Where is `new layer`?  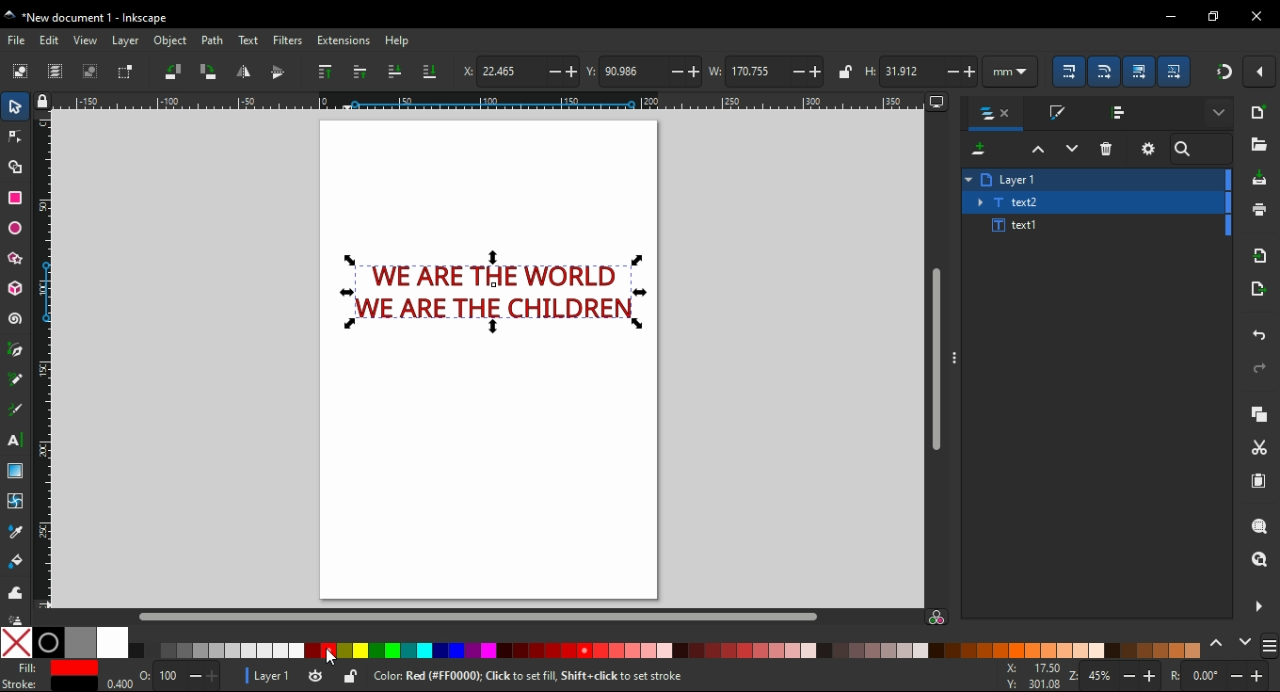 new layer is located at coordinates (978, 149).